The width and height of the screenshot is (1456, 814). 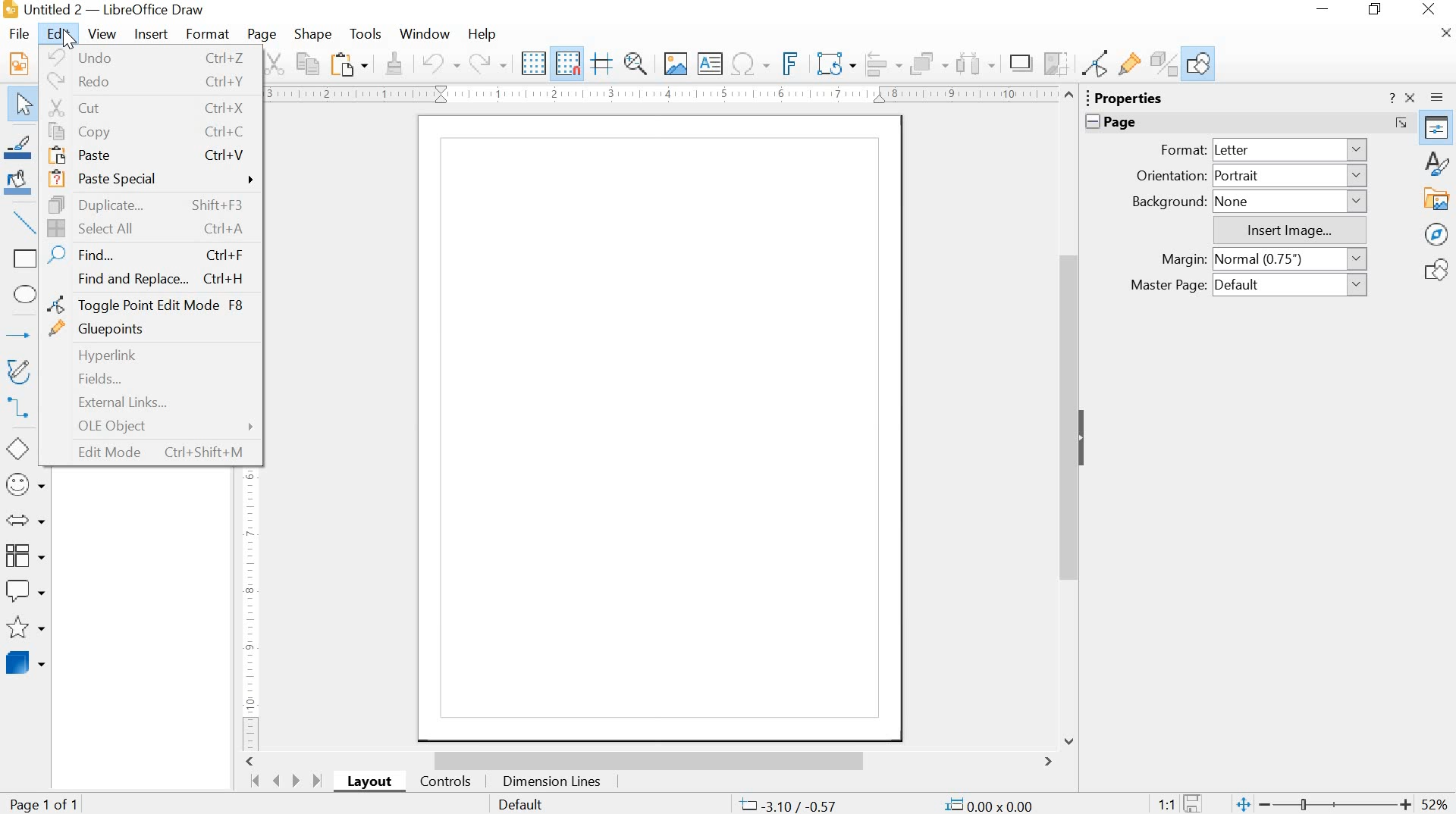 What do you see at coordinates (487, 64) in the screenshot?
I see `Redo` at bounding box center [487, 64].